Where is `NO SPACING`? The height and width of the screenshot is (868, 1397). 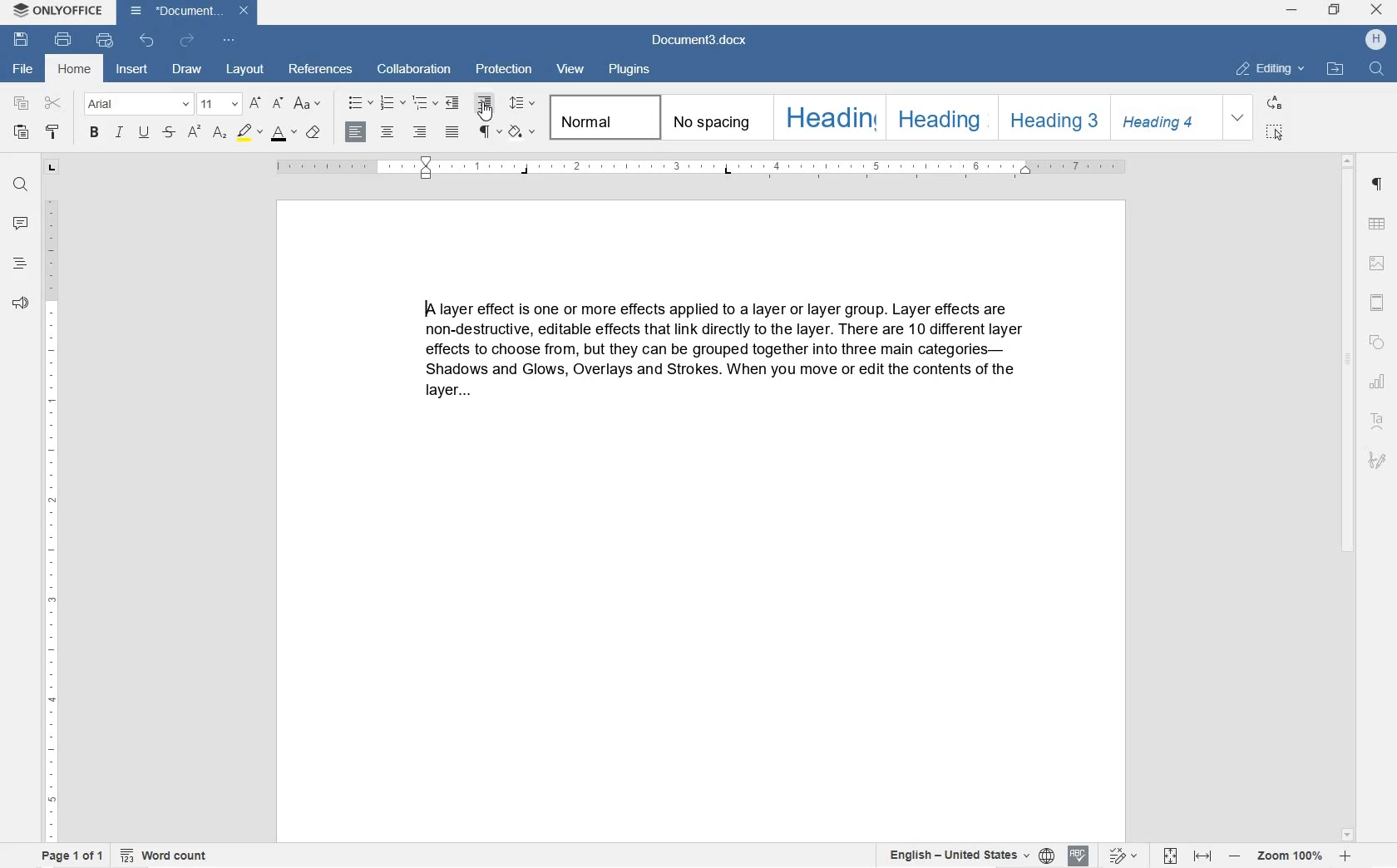
NO SPACING is located at coordinates (713, 119).